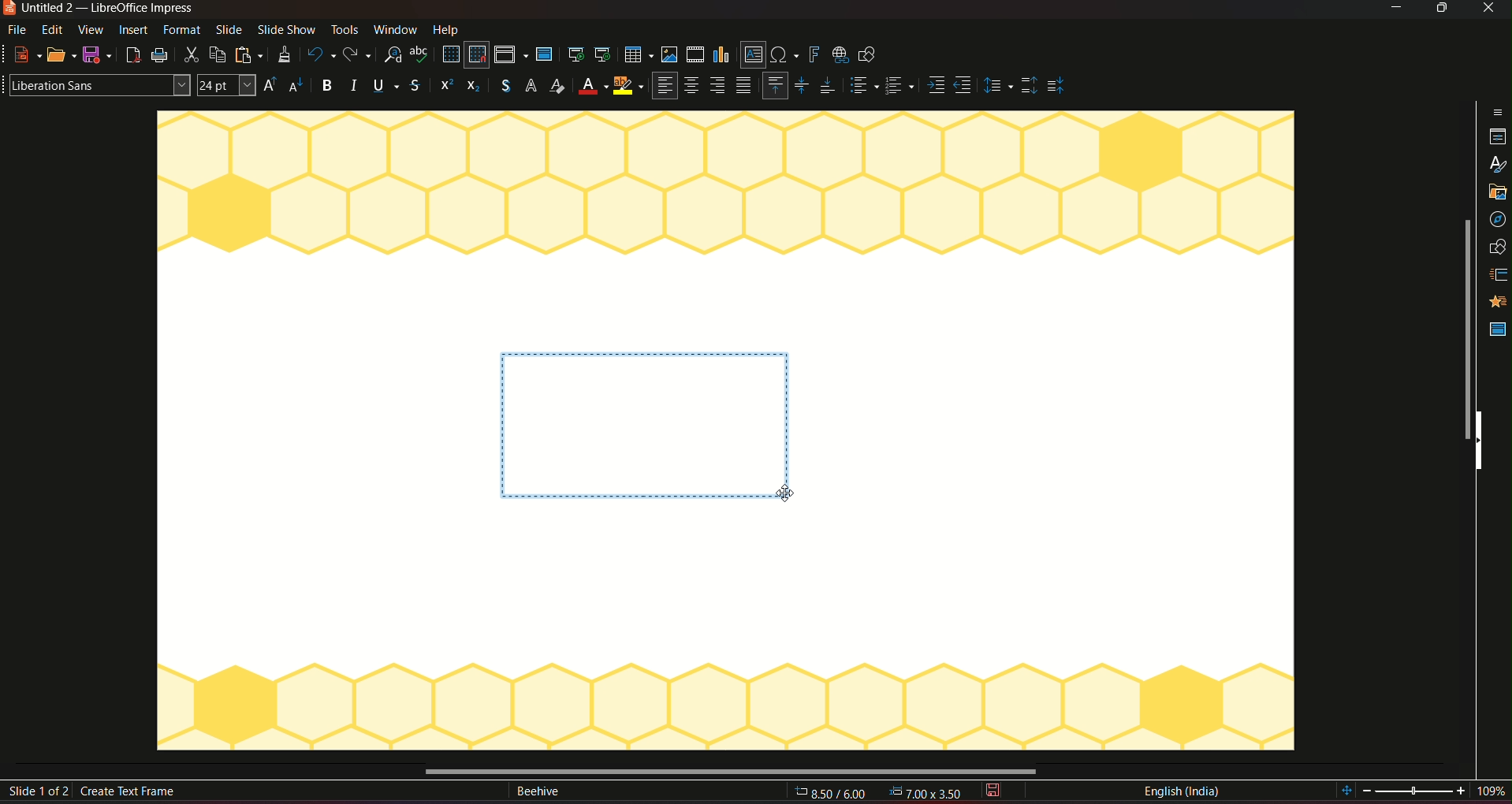 The height and width of the screenshot is (804, 1512). I want to click on horizontal scrollbar, so click(736, 771).